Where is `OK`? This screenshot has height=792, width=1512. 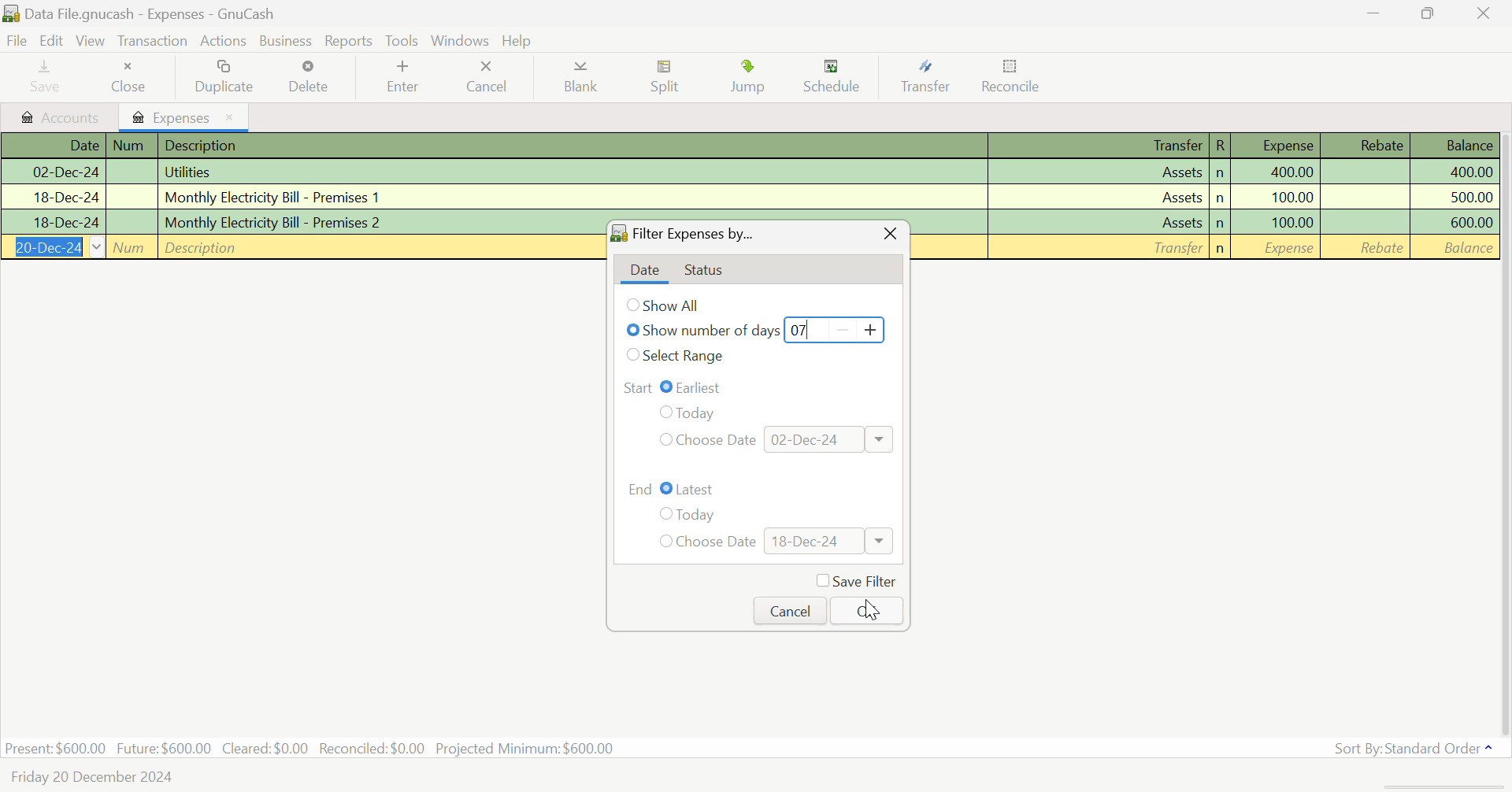
OK is located at coordinates (866, 611).